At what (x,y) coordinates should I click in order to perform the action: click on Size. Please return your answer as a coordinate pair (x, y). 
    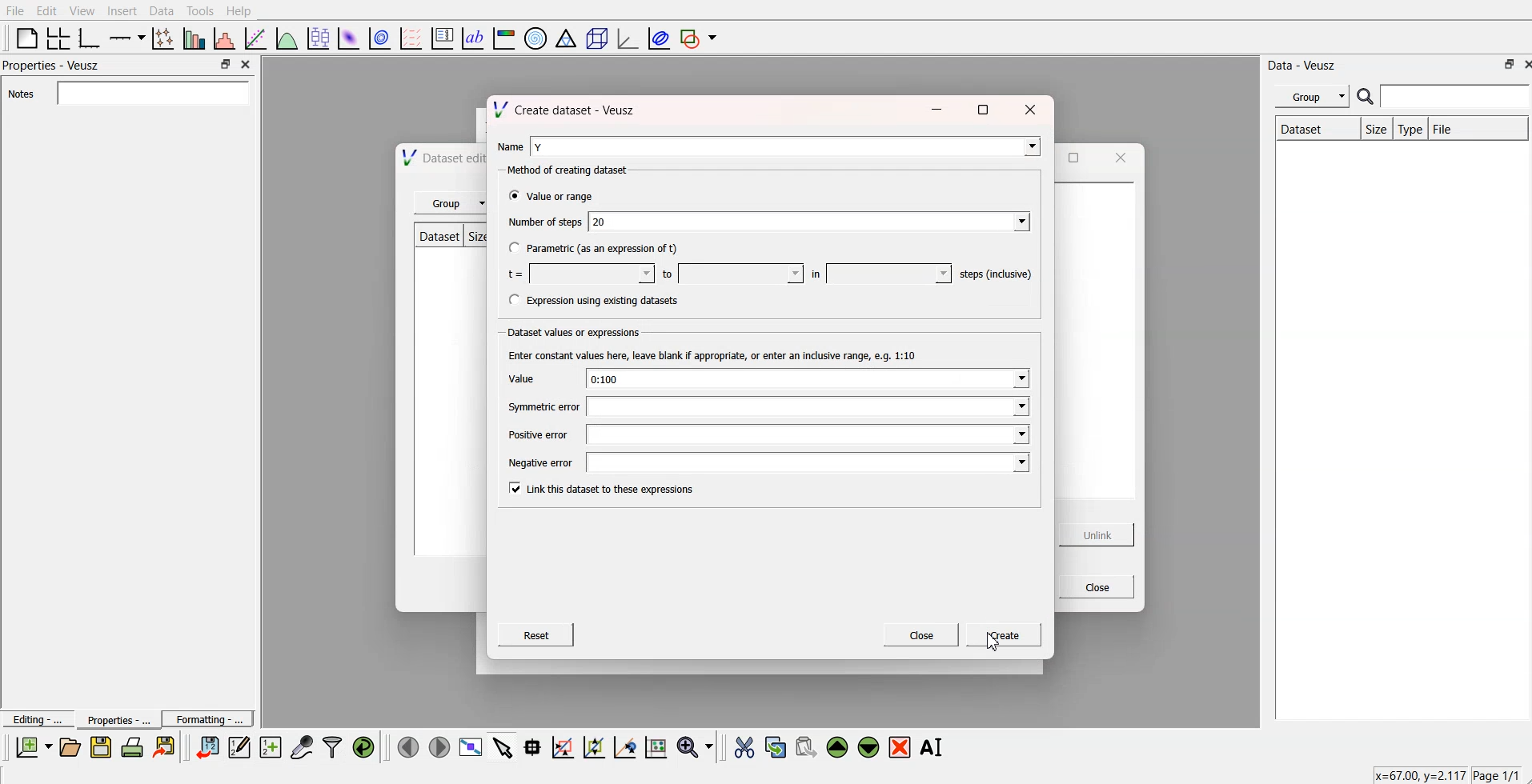
    Looking at the image, I should click on (1374, 129).